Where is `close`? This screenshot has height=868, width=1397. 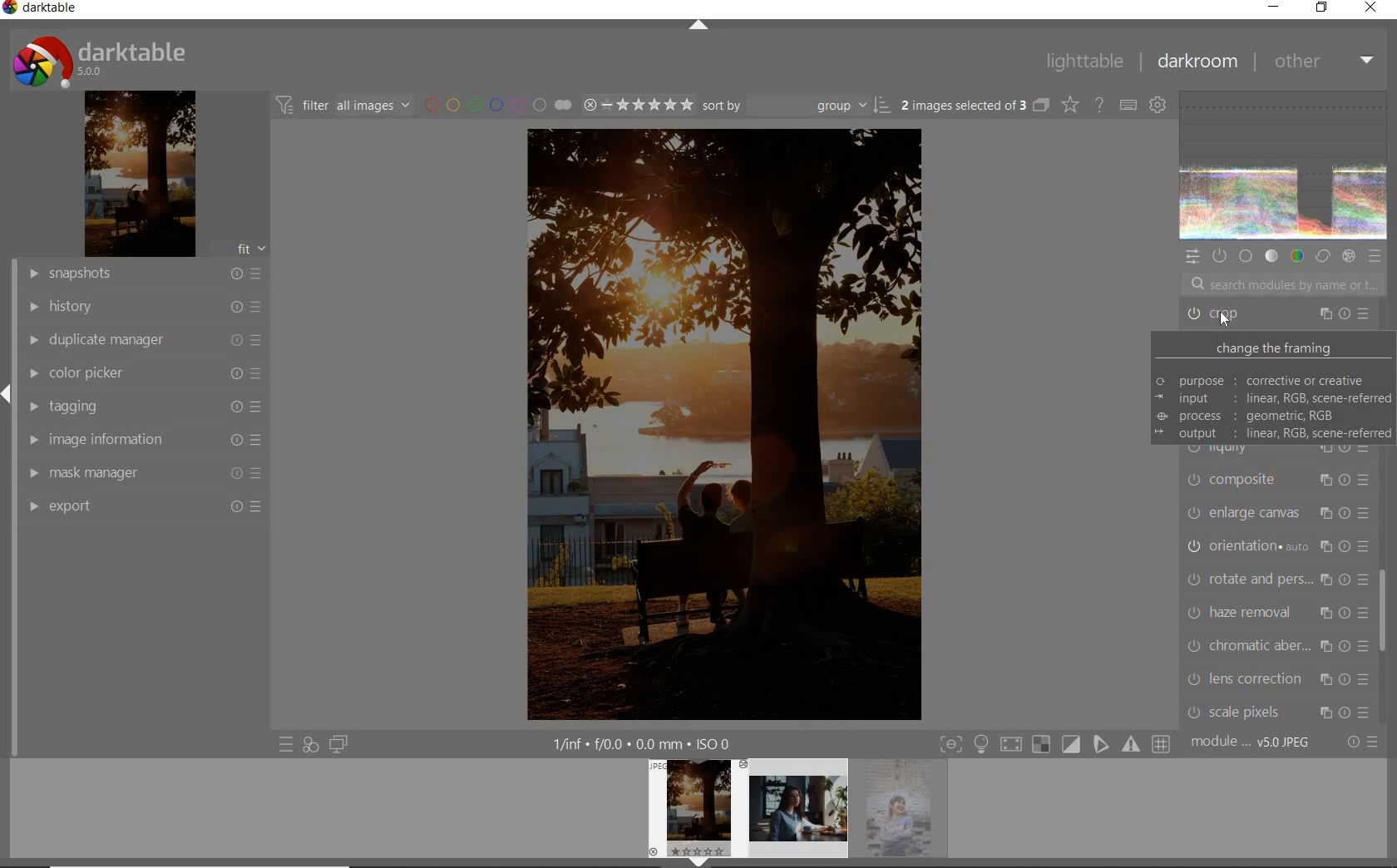
close is located at coordinates (1370, 8).